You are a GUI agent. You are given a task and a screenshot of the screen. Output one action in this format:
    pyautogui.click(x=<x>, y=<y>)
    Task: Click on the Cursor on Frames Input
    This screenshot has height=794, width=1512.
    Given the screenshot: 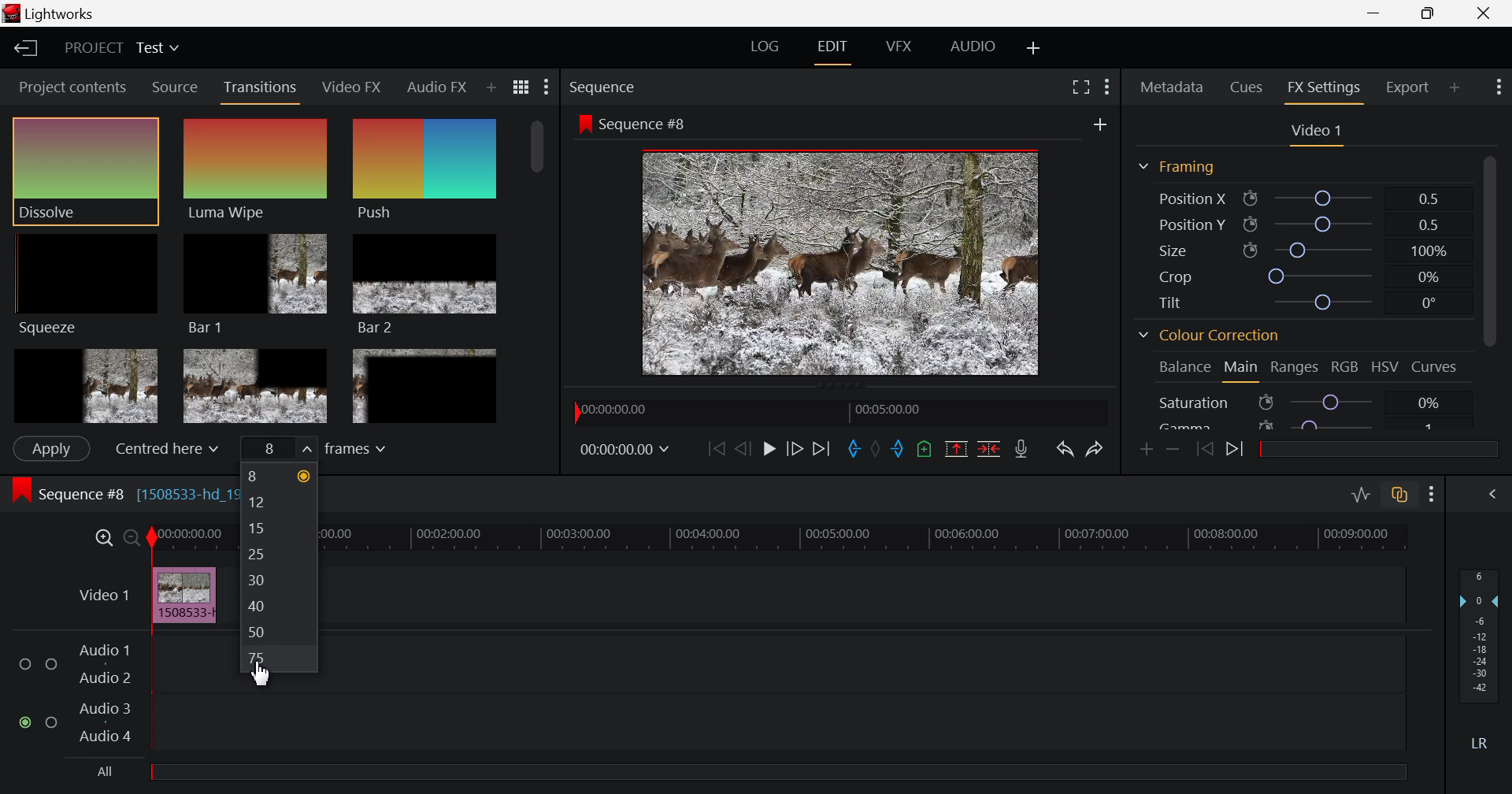 What is the action you would take?
    pyautogui.click(x=337, y=449)
    